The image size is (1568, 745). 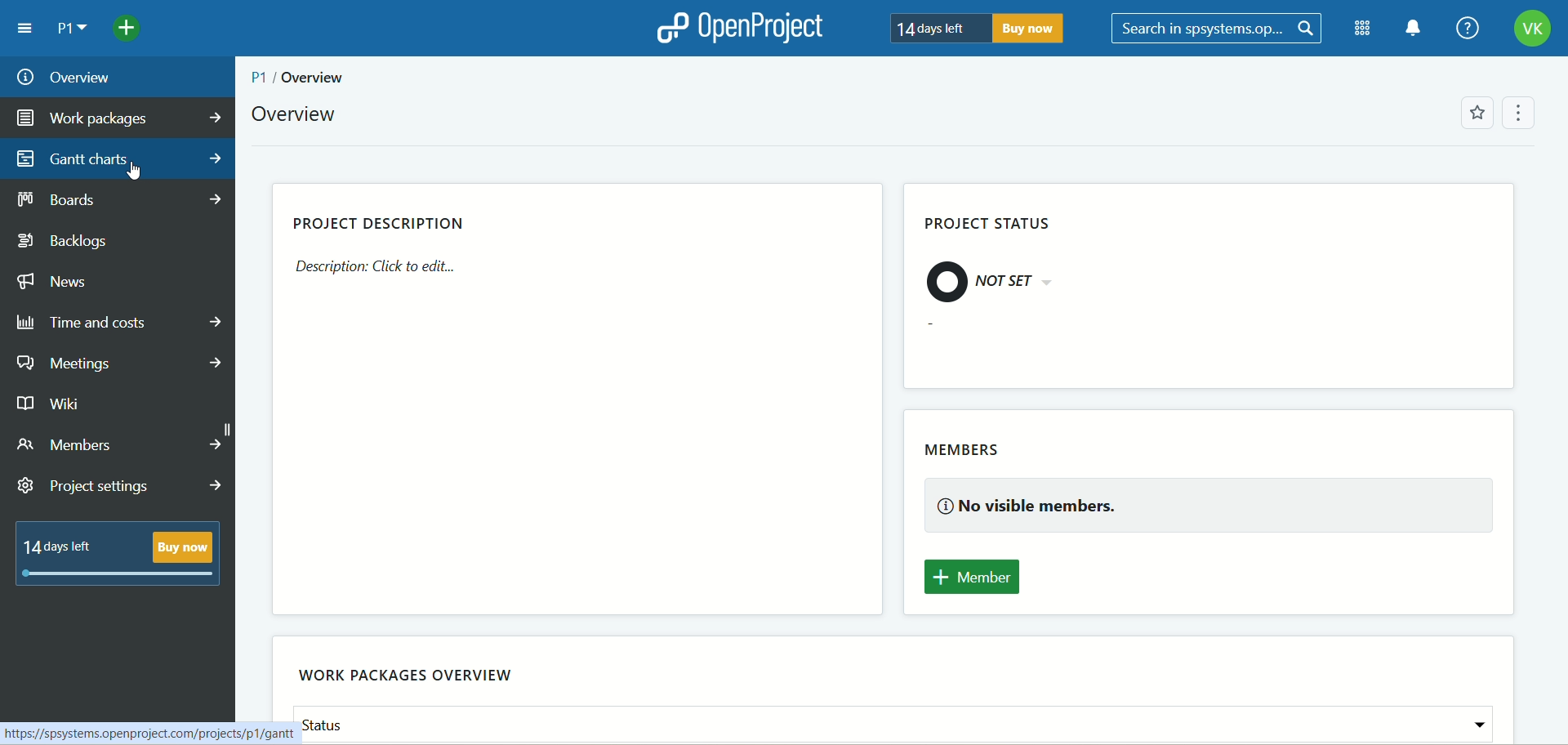 What do you see at coordinates (416, 681) in the screenshot?
I see `overview` at bounding box center [416, 681].